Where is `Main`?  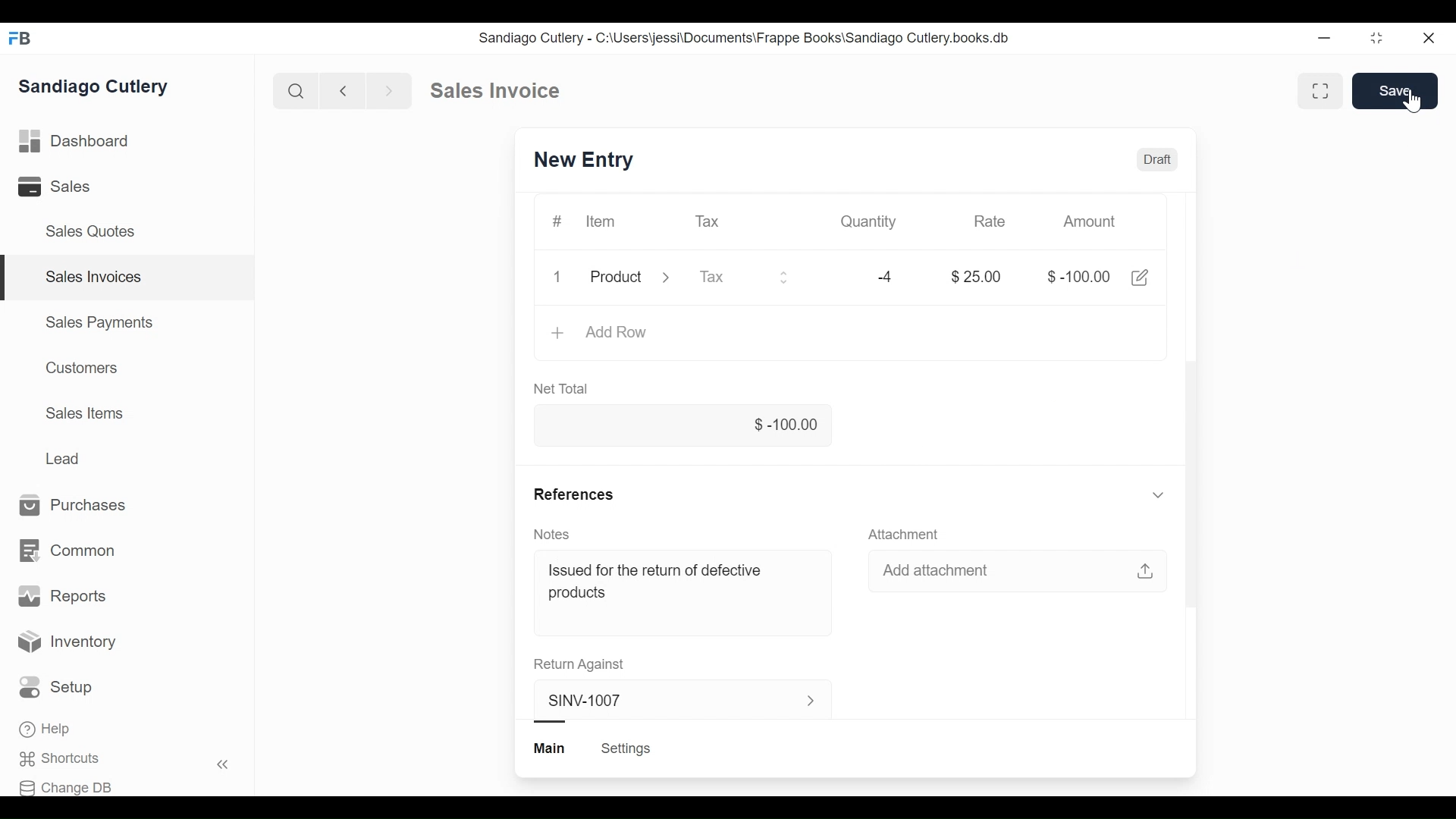 Main is located at coordinates (551, 748).